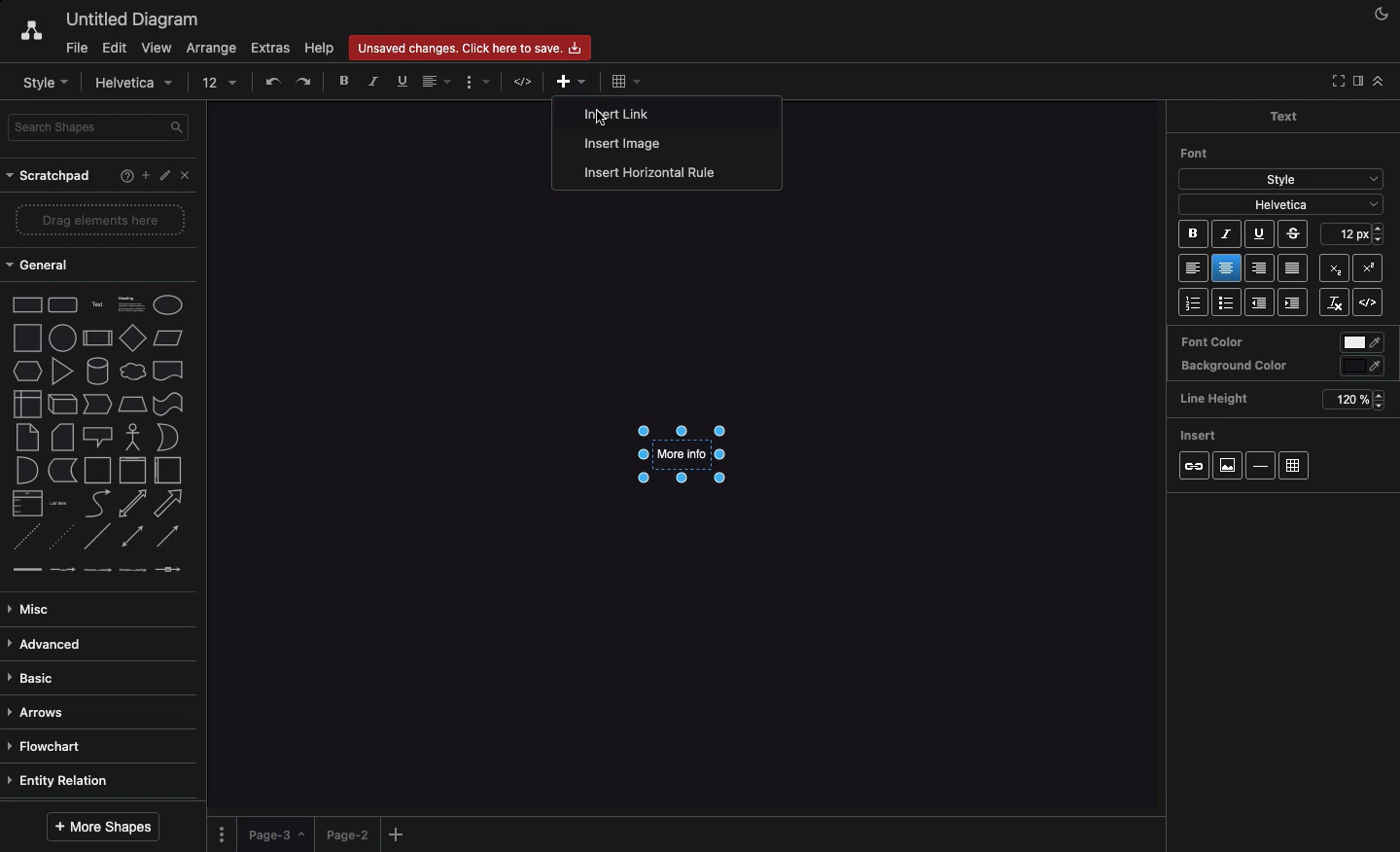 This screenshot has width=1400, height=852. I want to click on 12 pt - Size, so click(1355, 232).